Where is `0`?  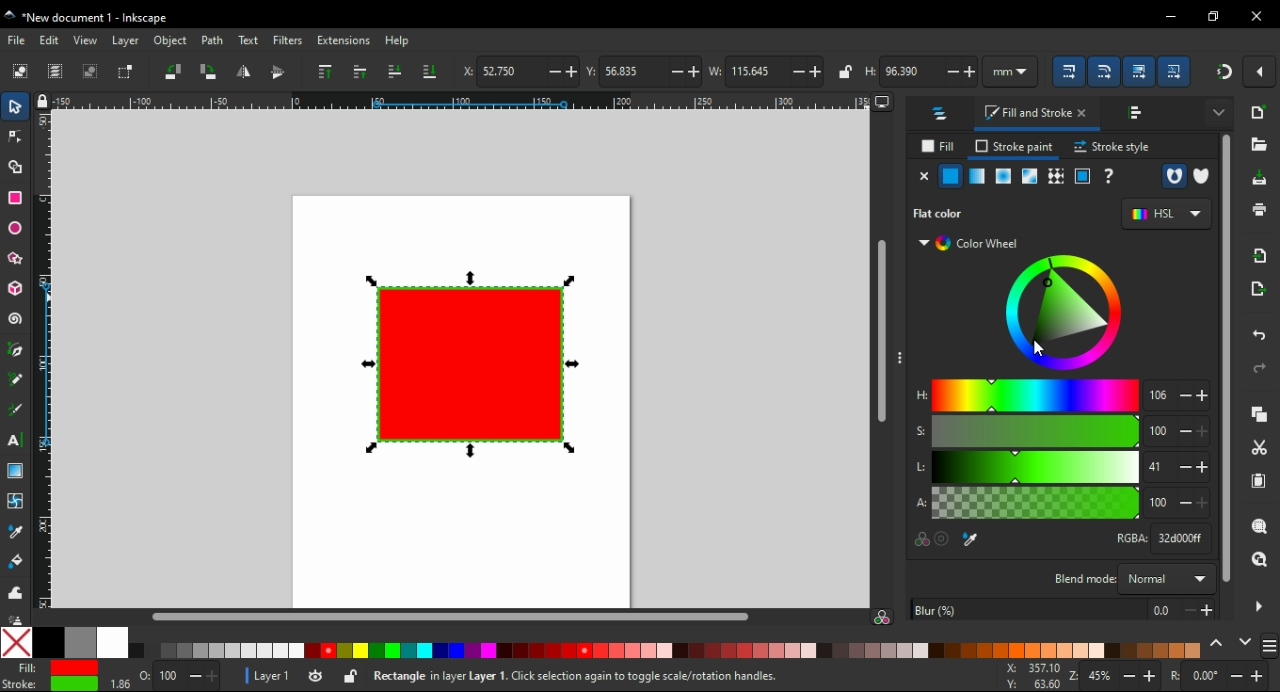
0 is located at coordinates (1204, 675).